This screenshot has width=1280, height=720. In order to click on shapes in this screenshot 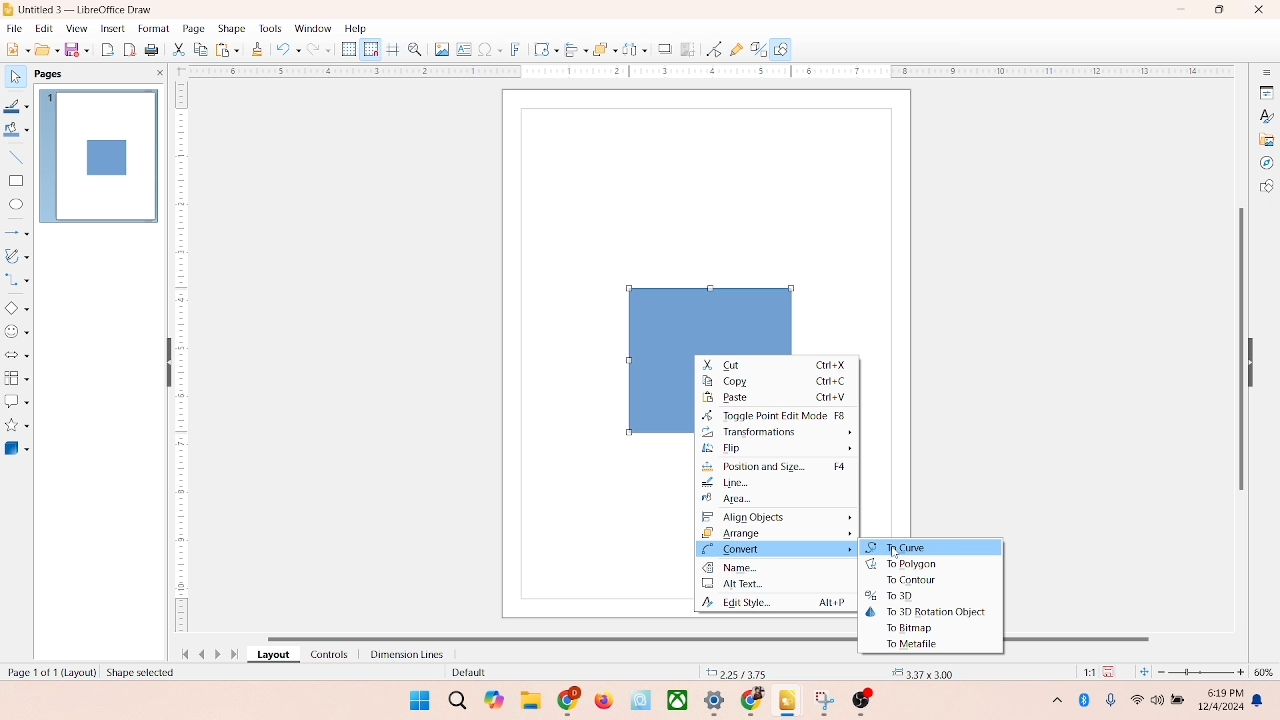, I will do `click(1266, 188)`.